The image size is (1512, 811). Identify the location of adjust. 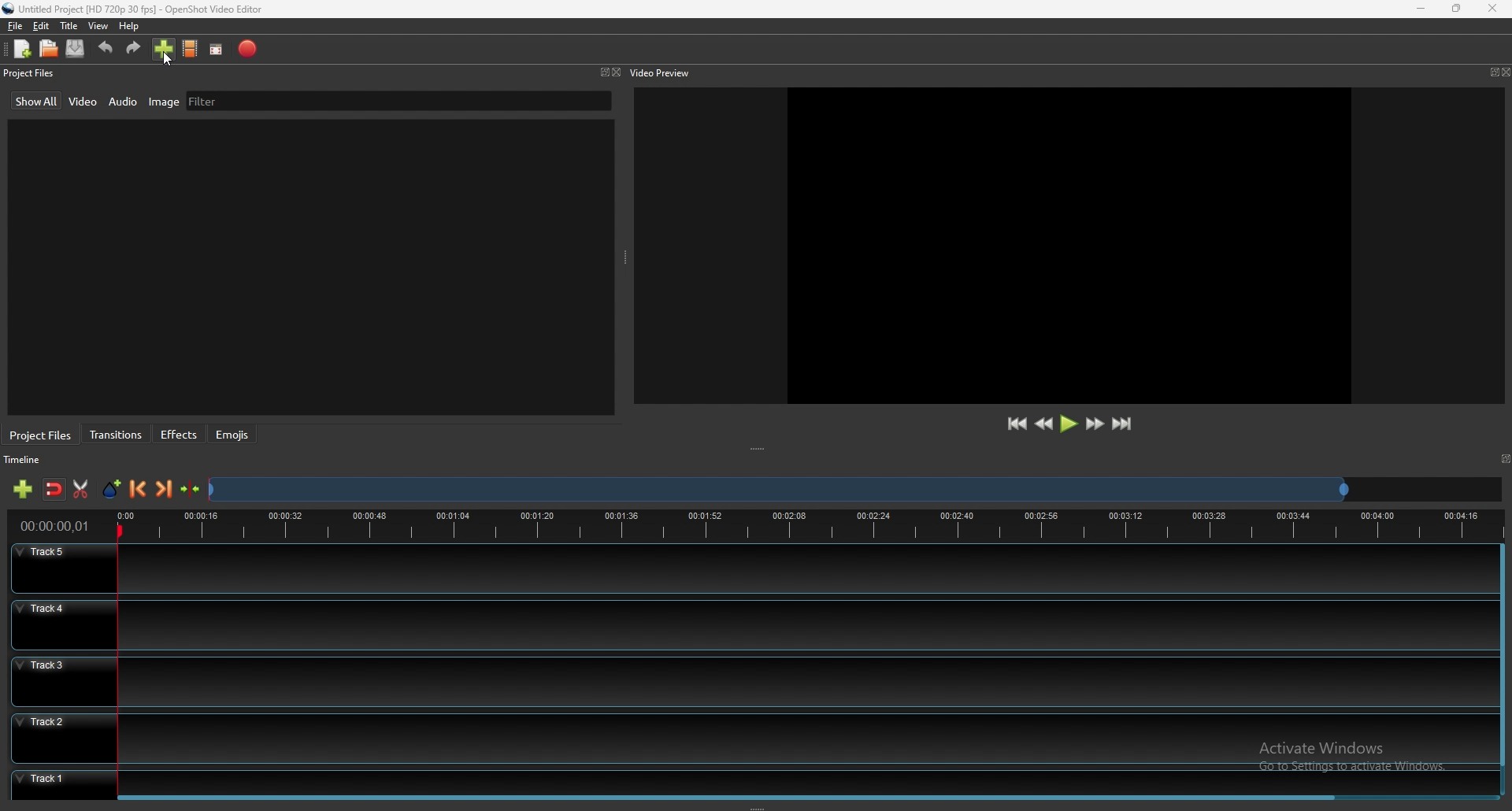
(761, 450).